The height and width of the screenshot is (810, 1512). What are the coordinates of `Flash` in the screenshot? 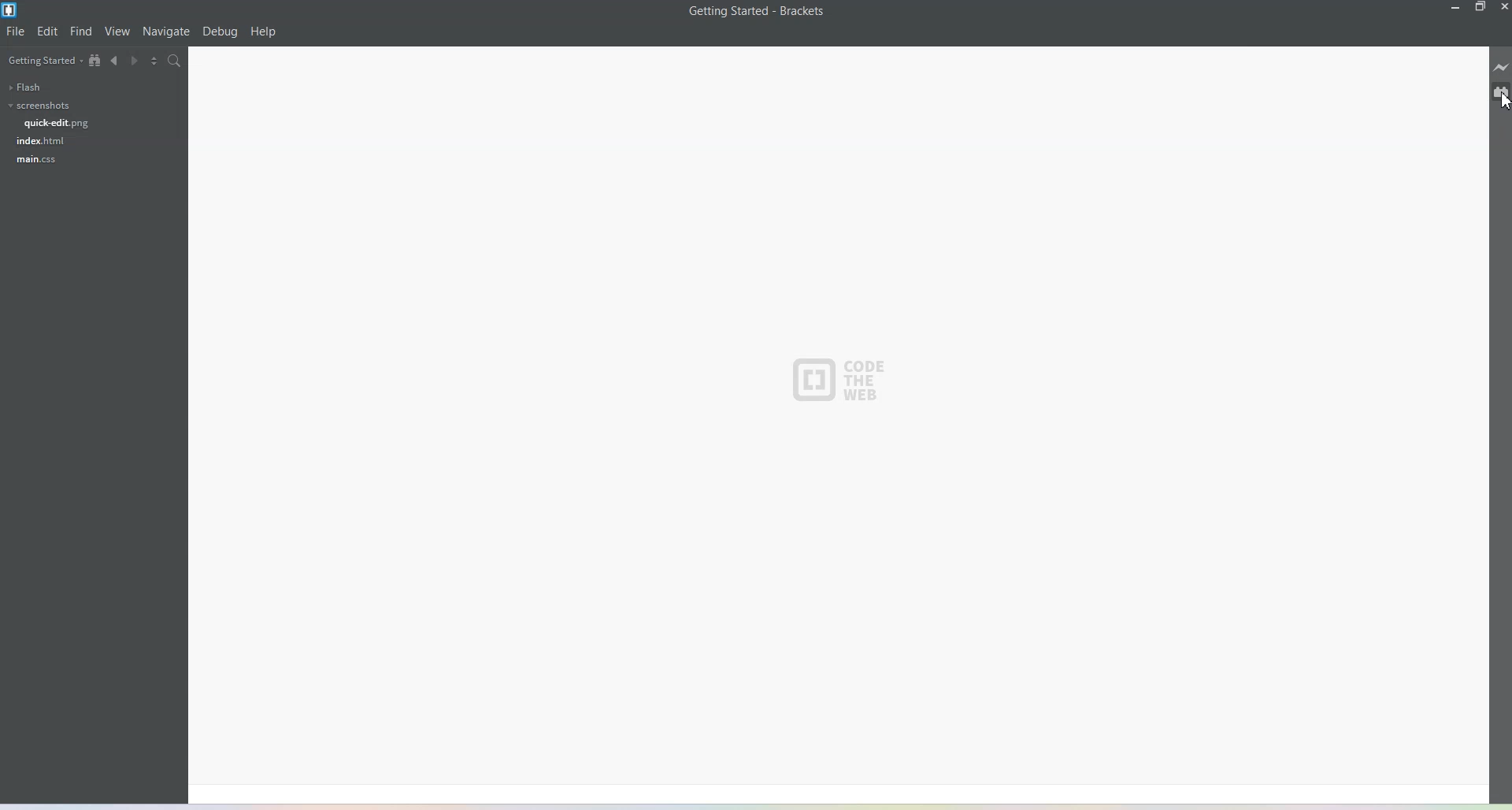 It's located at (24, 87).